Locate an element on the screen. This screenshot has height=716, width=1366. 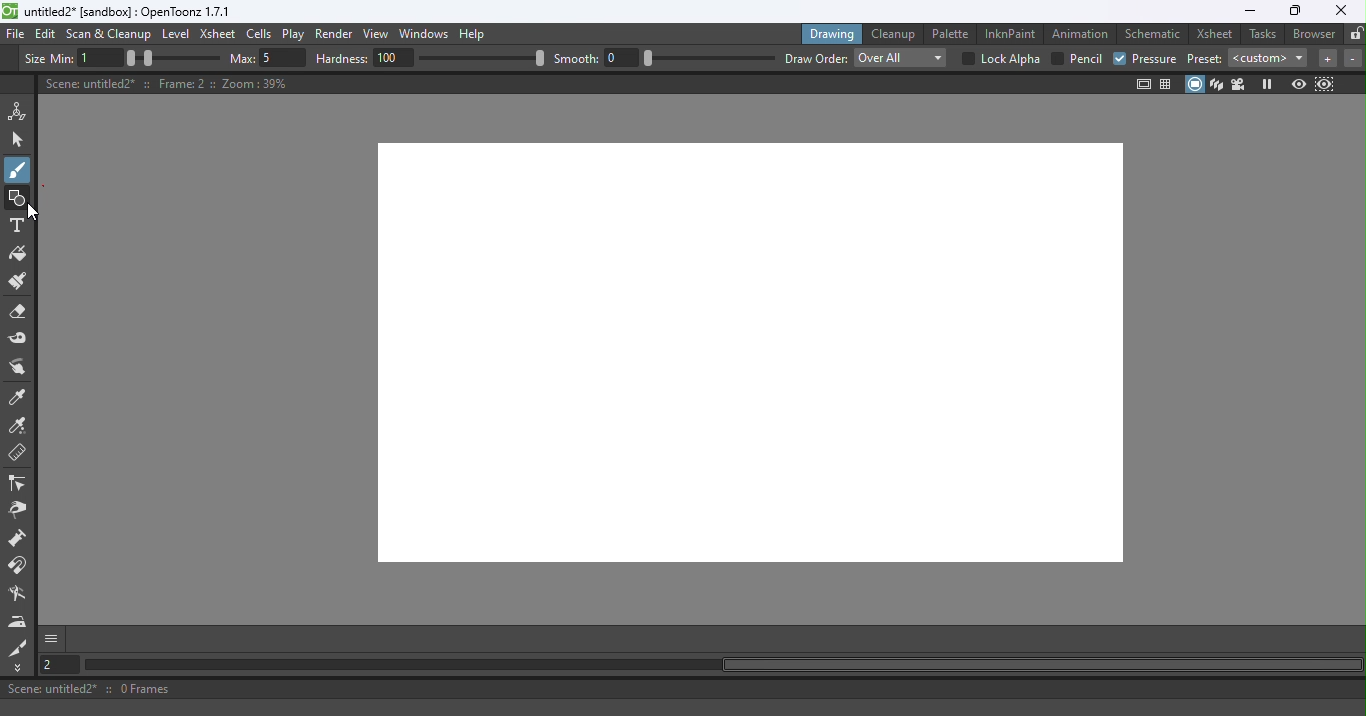
Freeze is located at coordinates (1267, 84).